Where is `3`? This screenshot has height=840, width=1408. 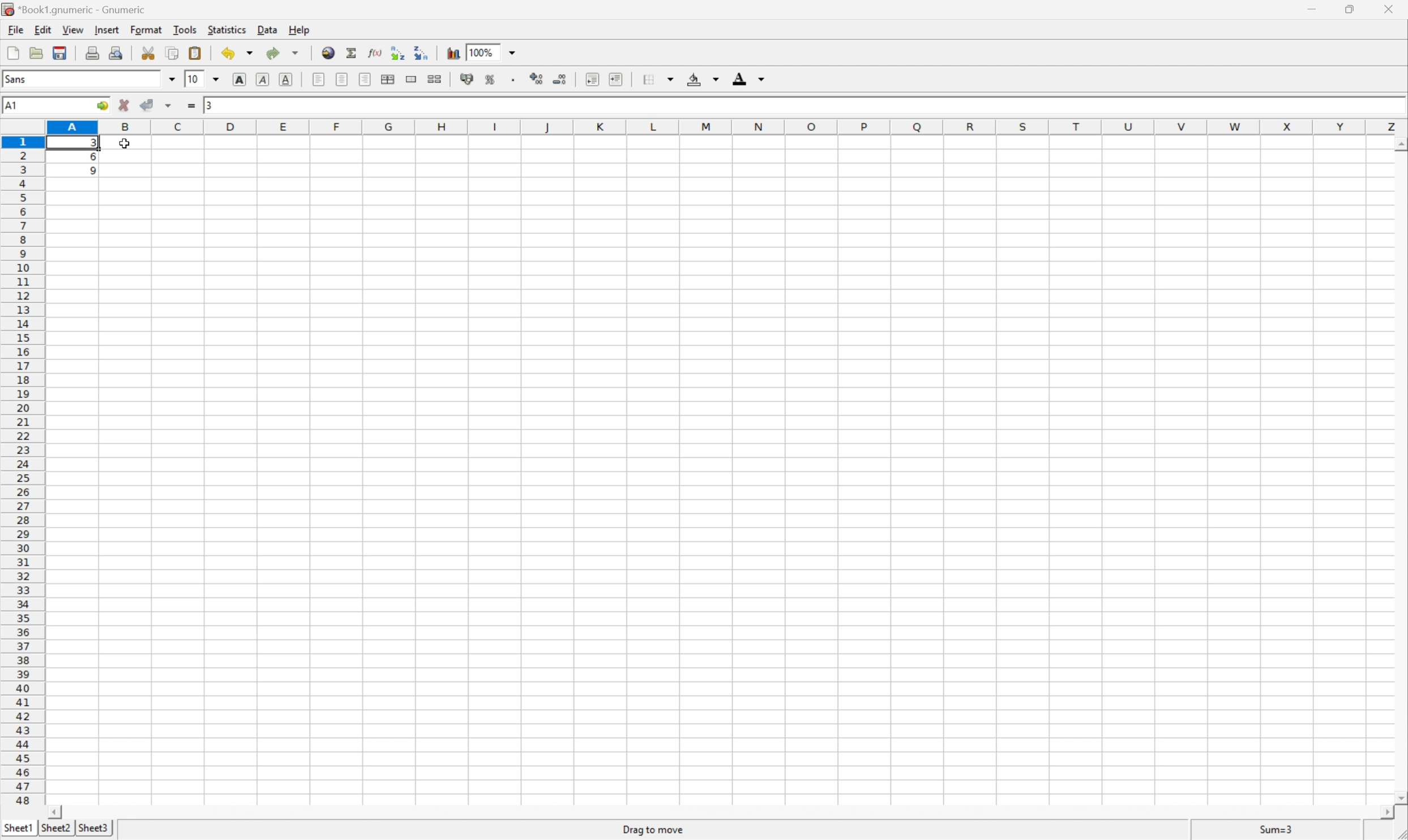 3 is located at coordinates (209, 105).